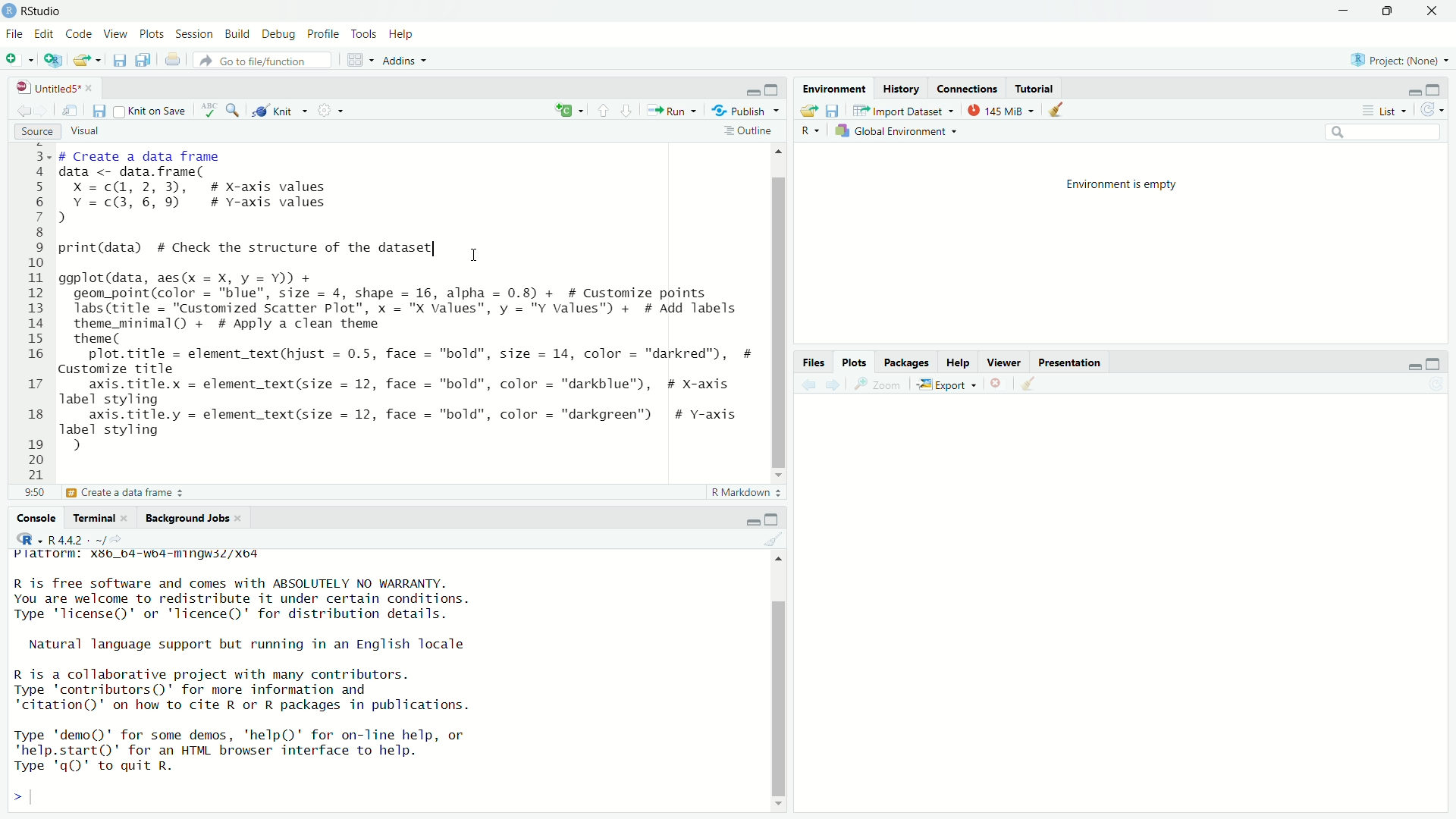 This screenshot has width=1456, height=819. I want to click on Find/replace, so click(235, 112).